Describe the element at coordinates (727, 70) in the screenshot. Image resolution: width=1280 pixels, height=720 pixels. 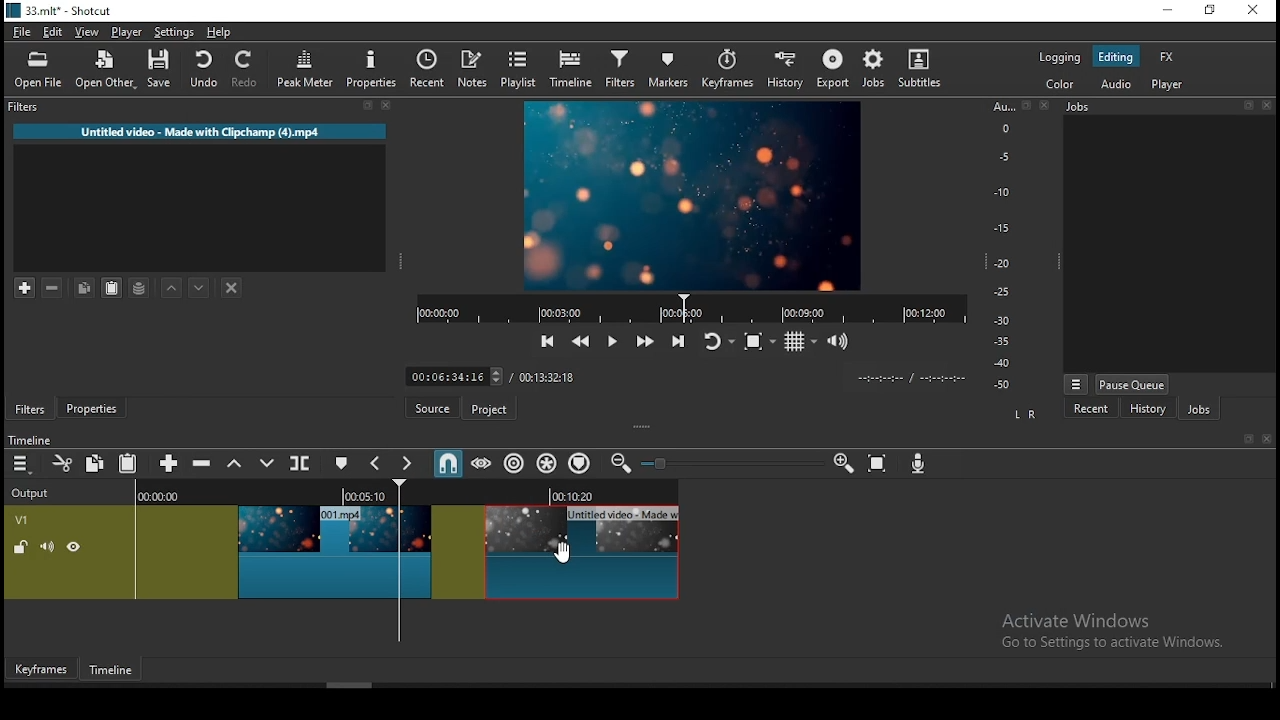
I see `keyframes` at that location.